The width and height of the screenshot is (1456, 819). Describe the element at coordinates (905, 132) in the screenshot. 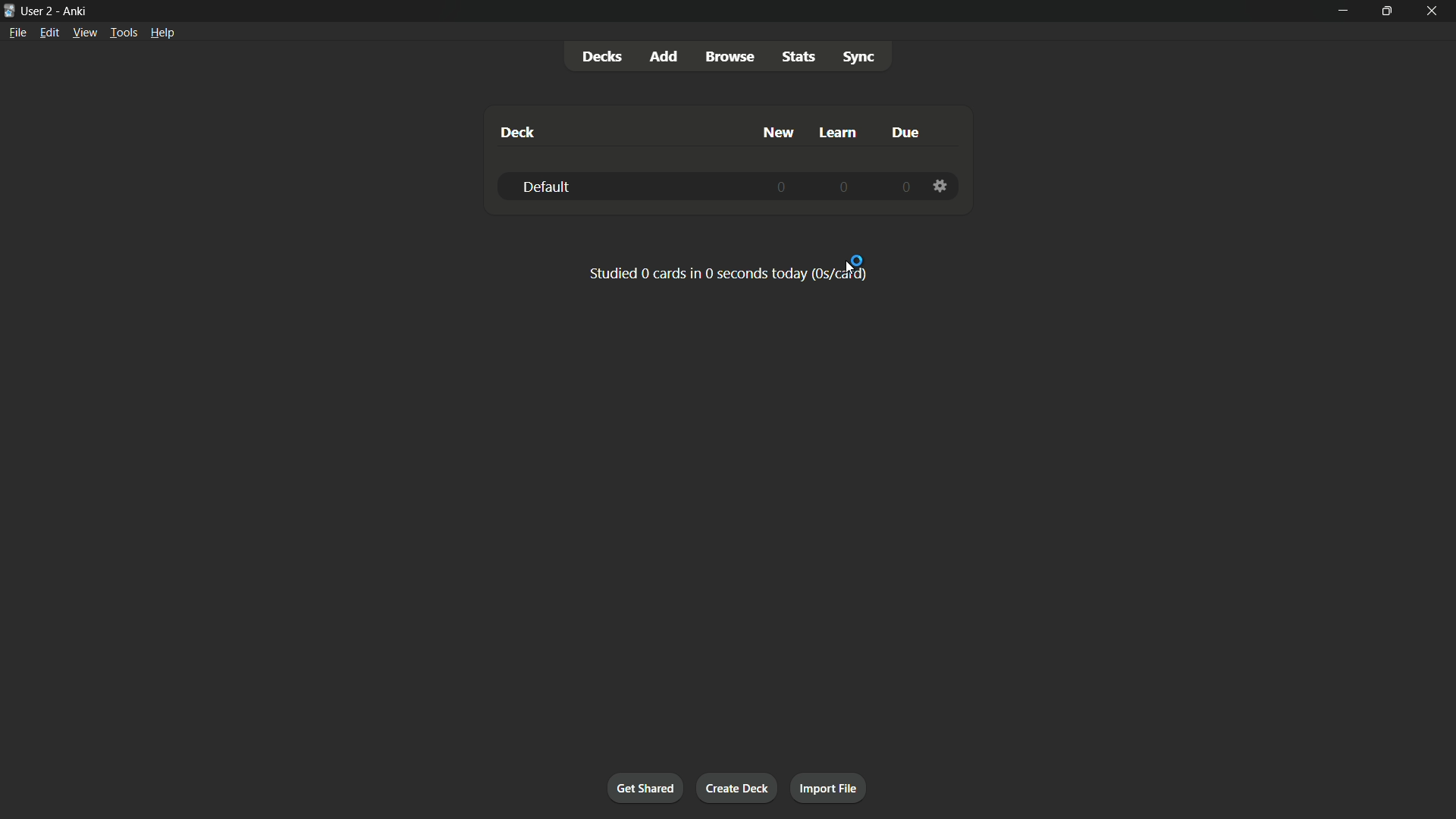

I see `due` at that location.